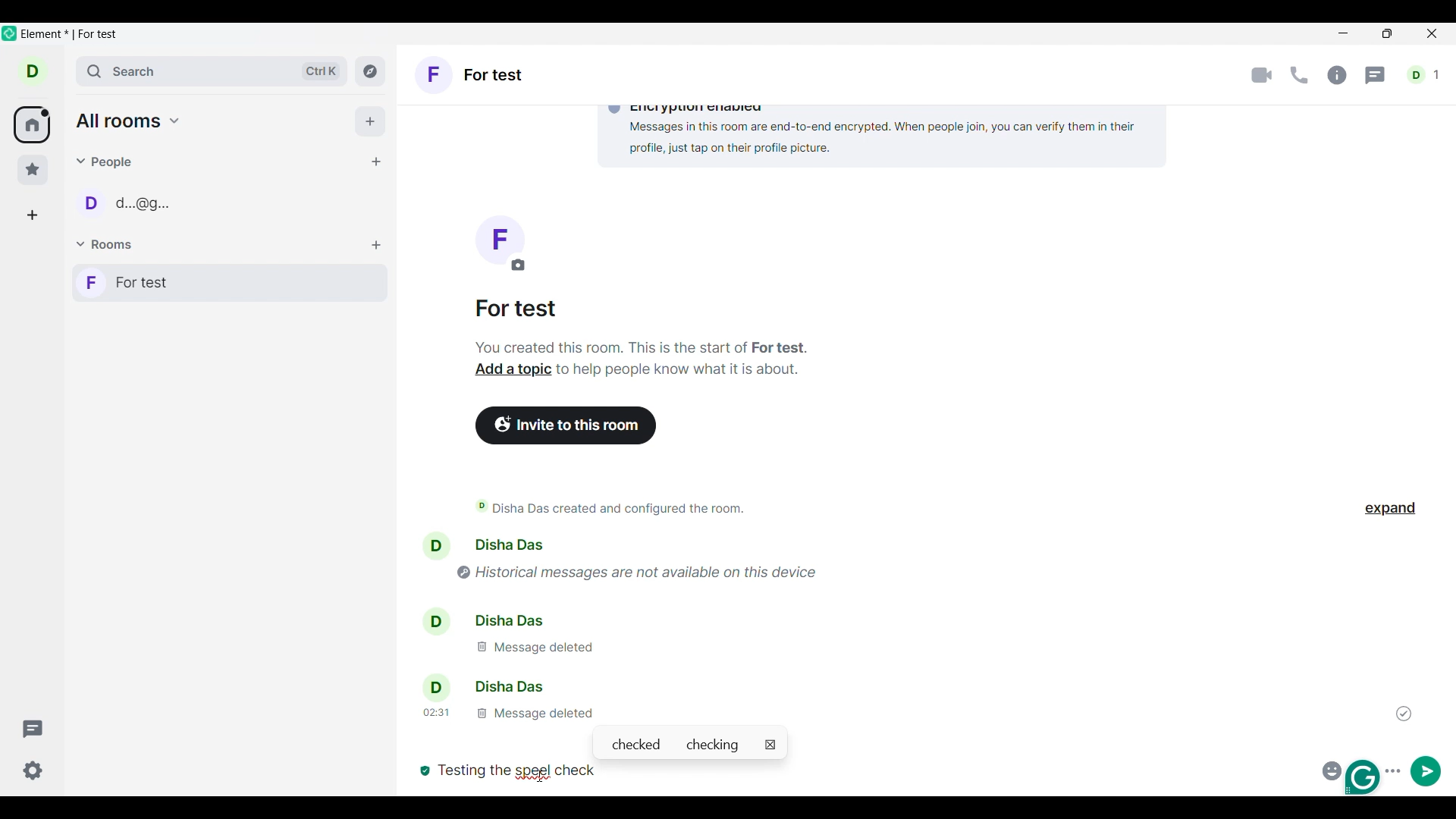 The height and width of the screenshot is (819, 1456). Describe the element at coordinates (507, 372) in the screenshot. I see `add a topic` at that location.